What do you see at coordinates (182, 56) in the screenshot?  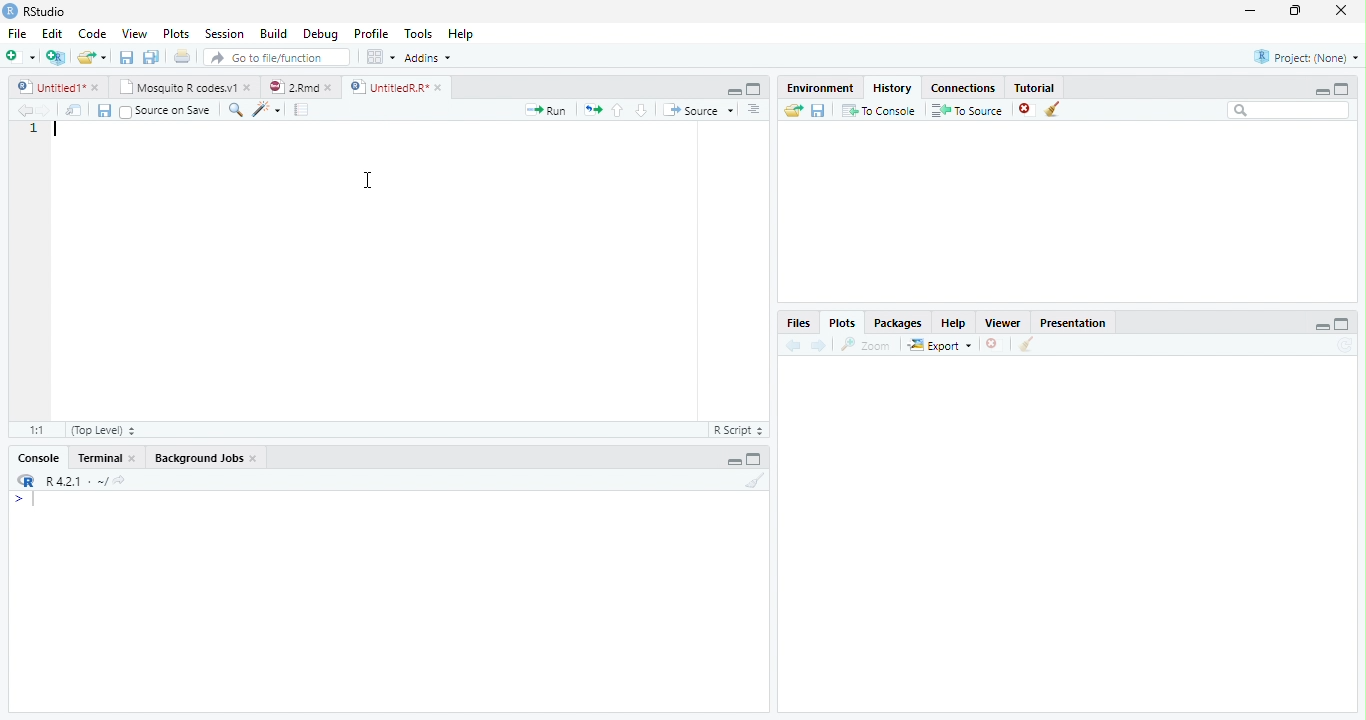 I see `print current file` at bounding box center [182, 56].